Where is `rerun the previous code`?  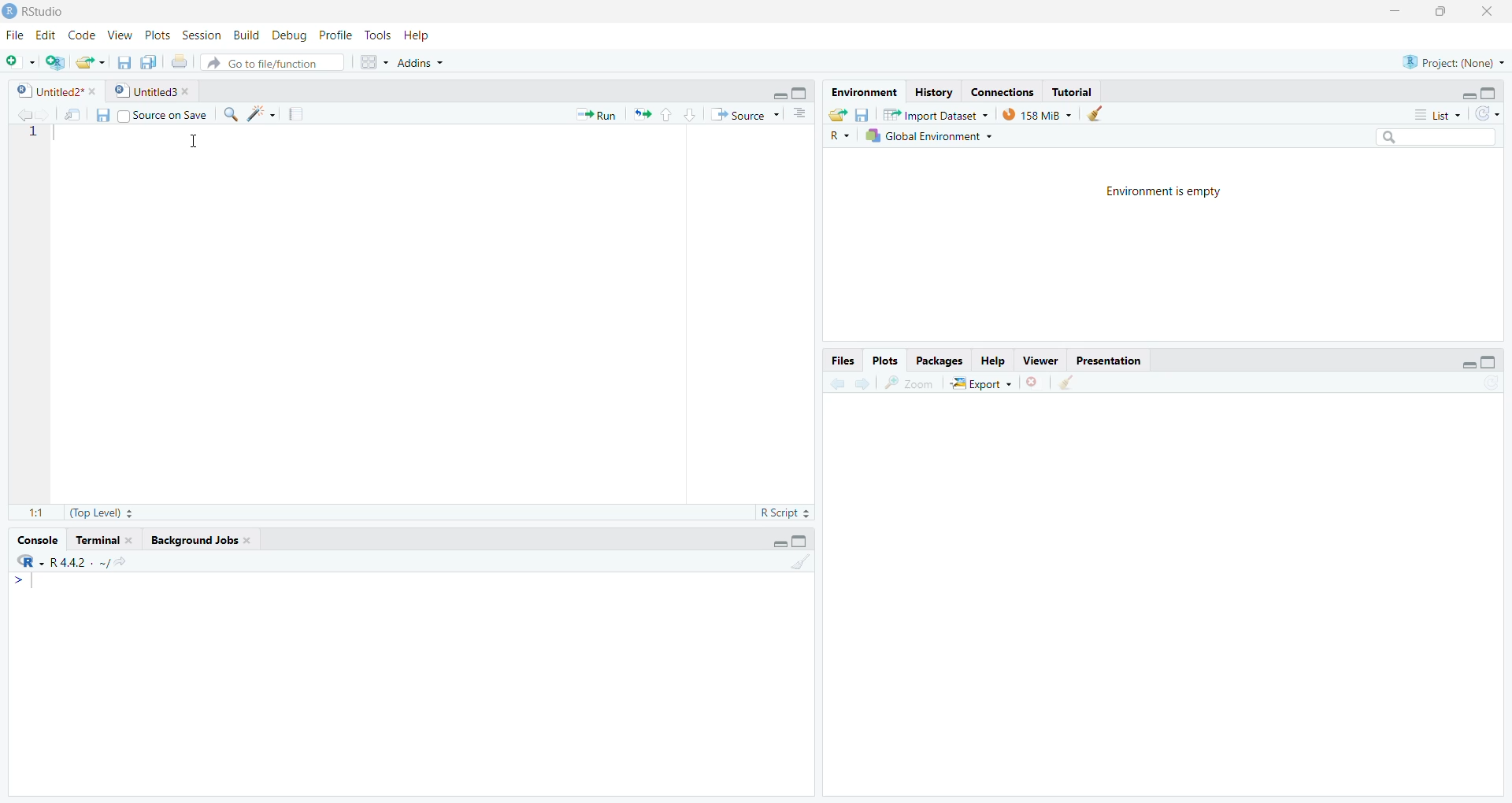 rerun the previous code is located at coordinates (640, 115).